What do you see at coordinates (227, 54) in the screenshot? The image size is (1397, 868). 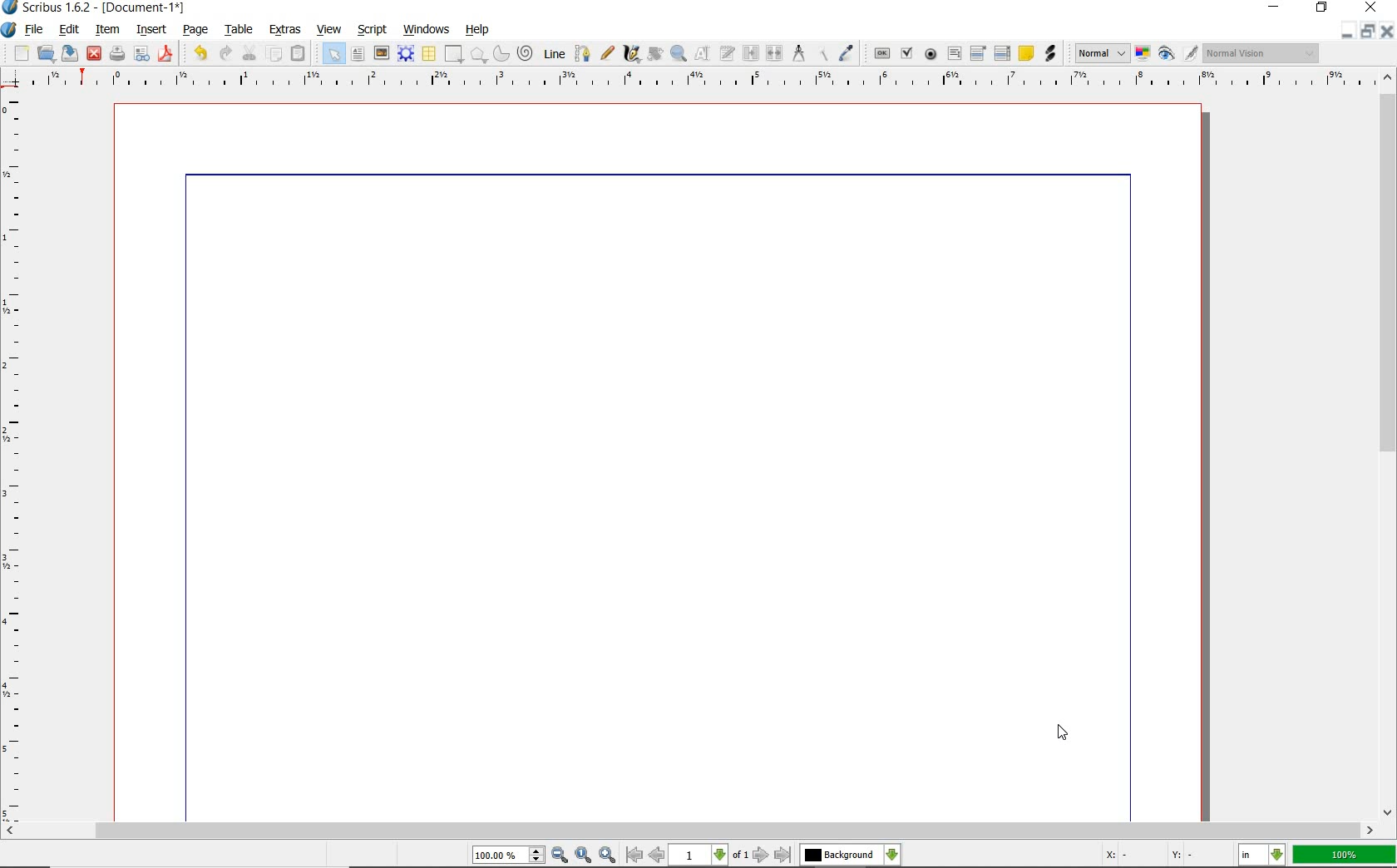 I see `redo` at bounding box center [227, 54].